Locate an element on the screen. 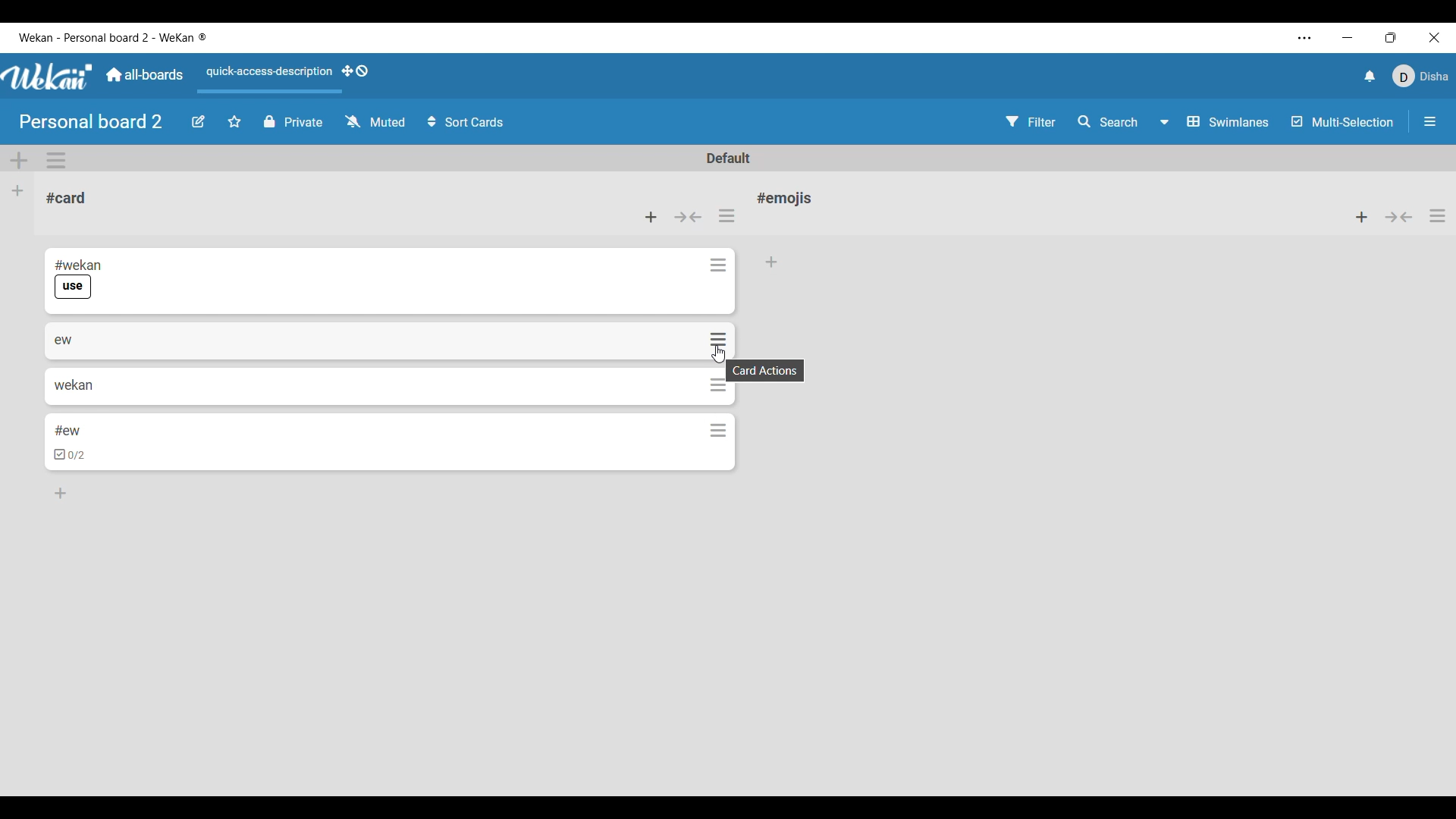  Card actions for respective card is located at coordinates (720, 265).